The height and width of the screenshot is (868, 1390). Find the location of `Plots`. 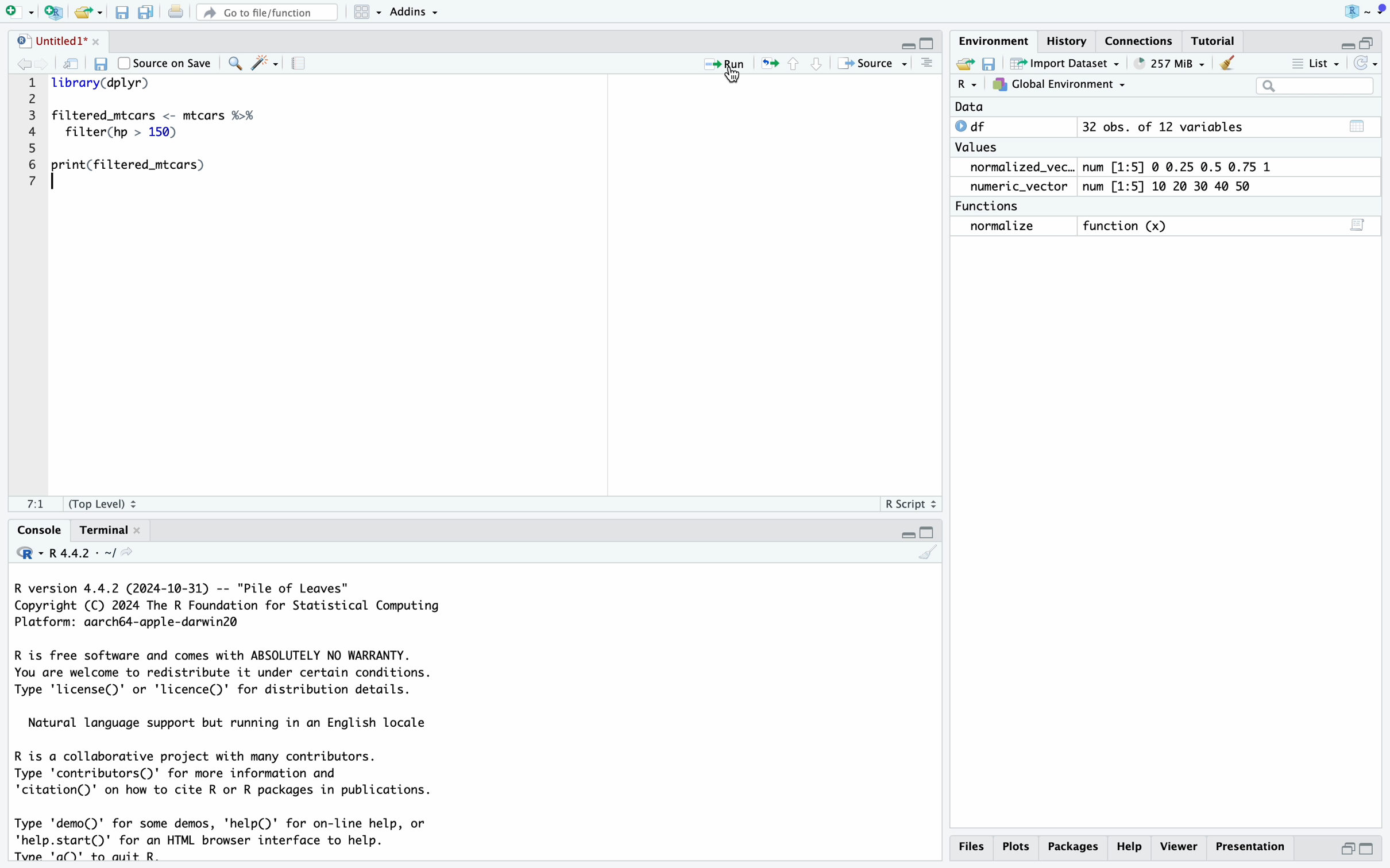

Plots is located at coordinates (1015, 847).